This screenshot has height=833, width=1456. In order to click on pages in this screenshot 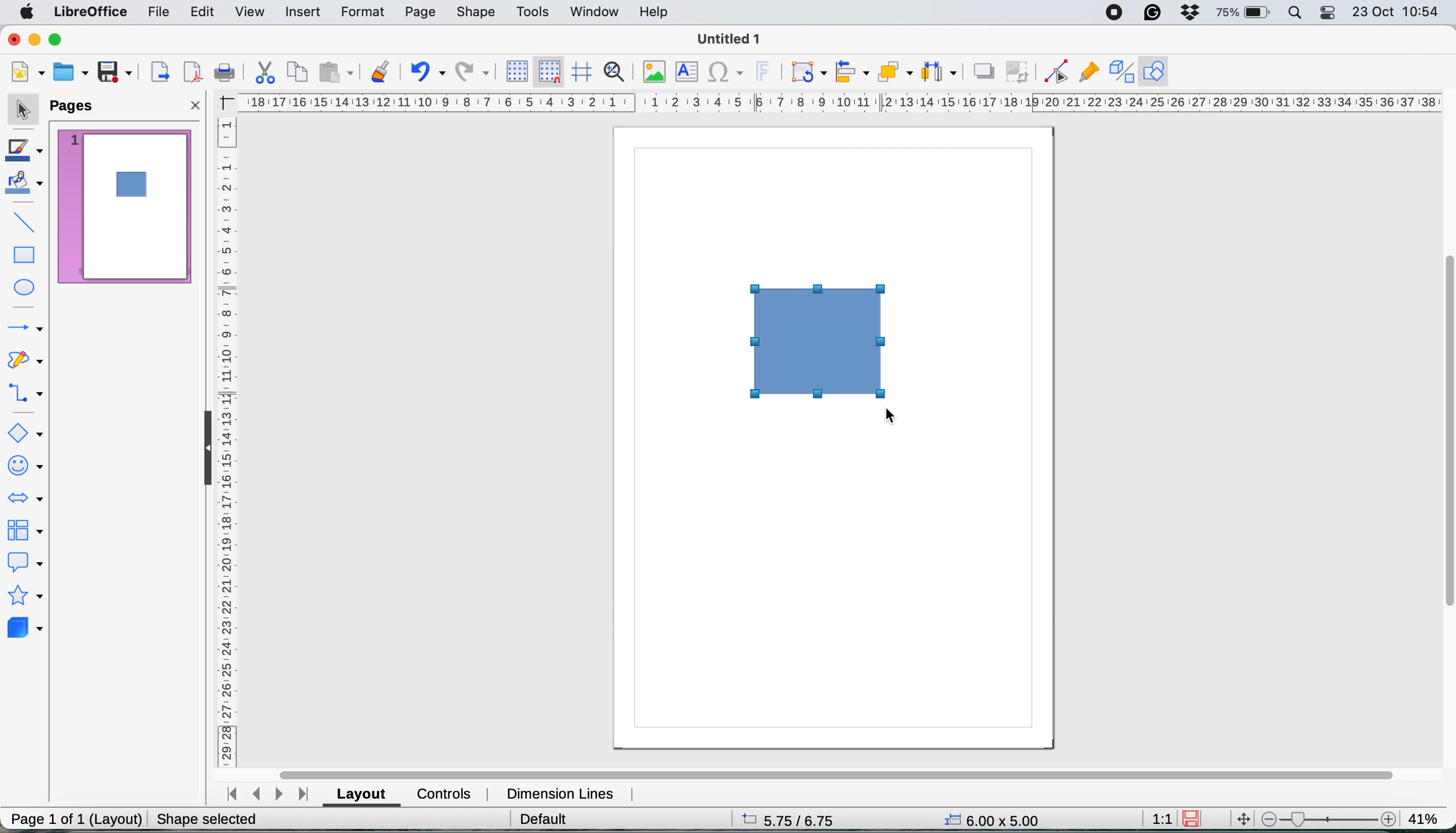, I will do `click(77, 107)`.